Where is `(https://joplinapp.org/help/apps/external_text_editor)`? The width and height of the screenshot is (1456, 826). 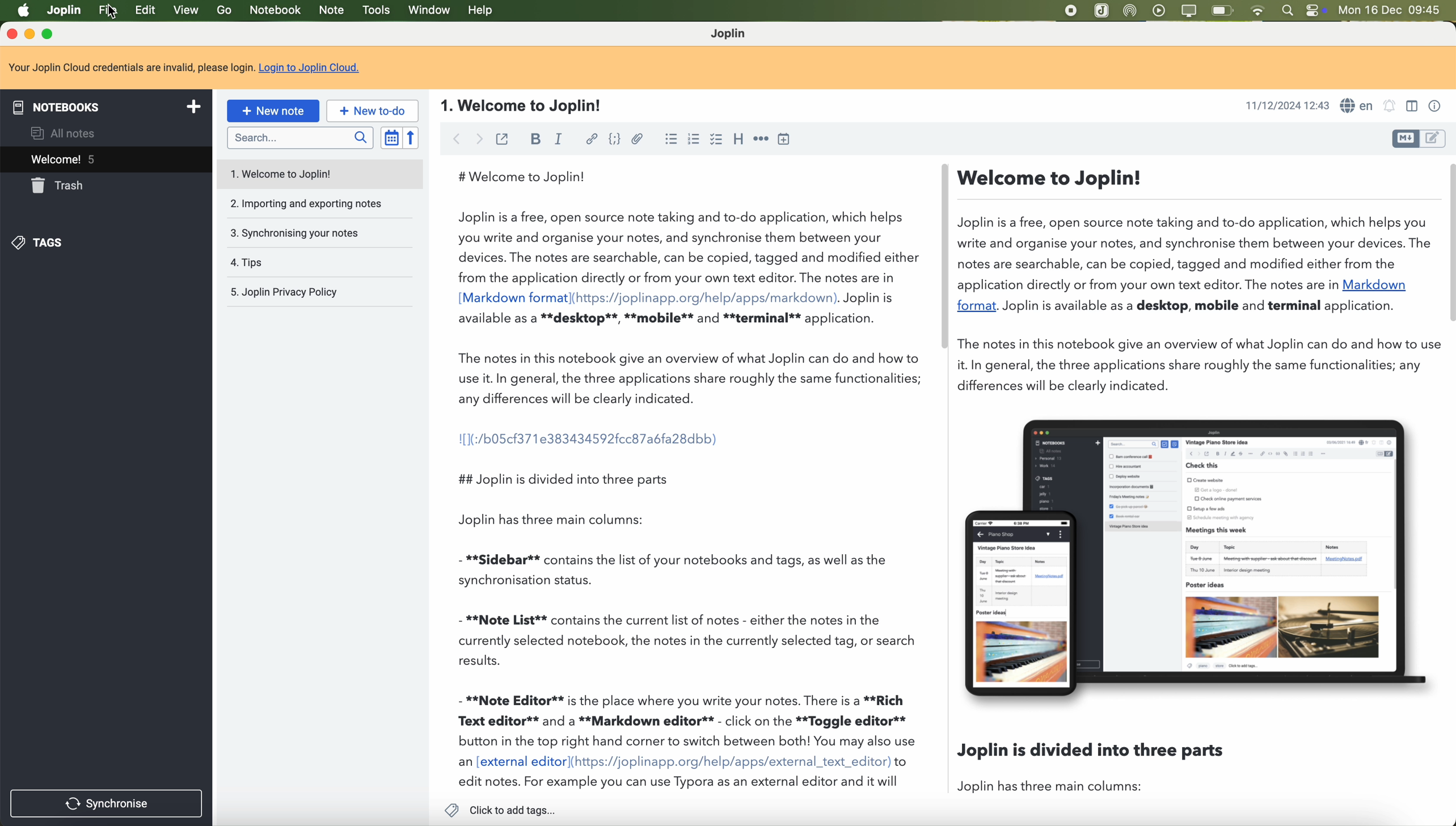 (https://joplinapp.org/help/apps/external_text_editor) is located at coordinates (731, 762).